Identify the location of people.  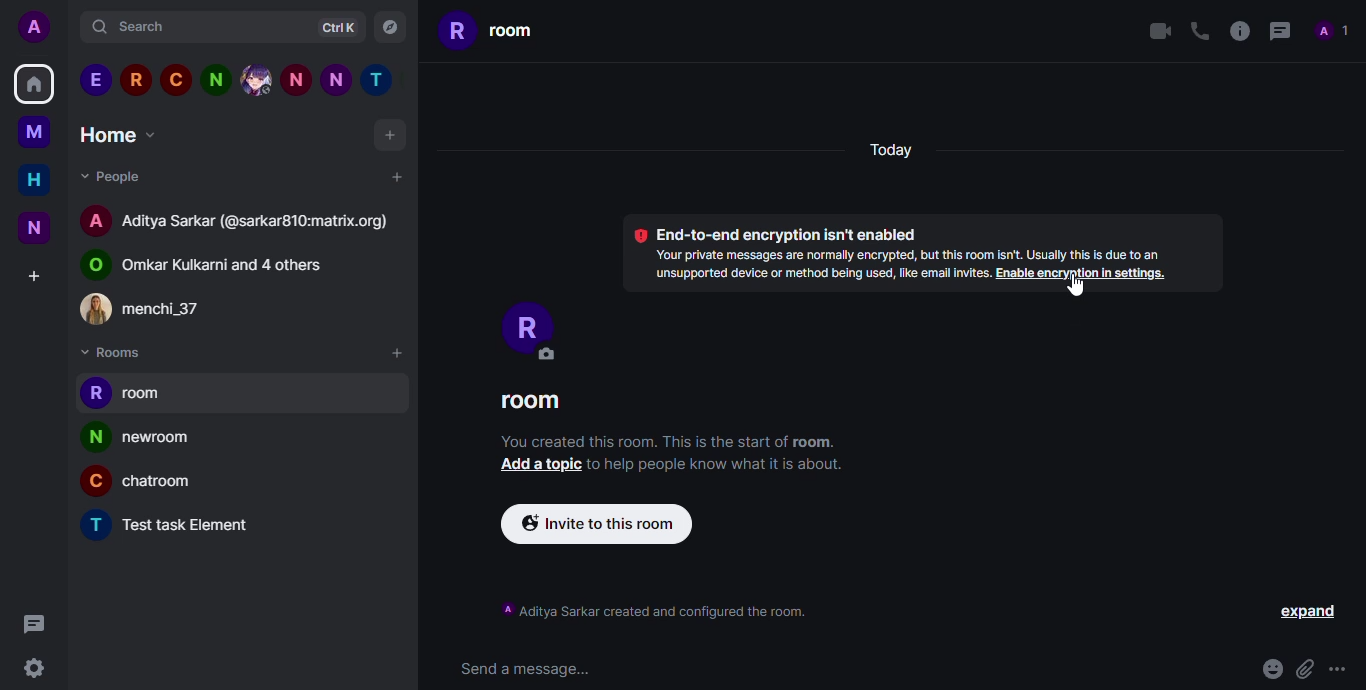
(258, 224).